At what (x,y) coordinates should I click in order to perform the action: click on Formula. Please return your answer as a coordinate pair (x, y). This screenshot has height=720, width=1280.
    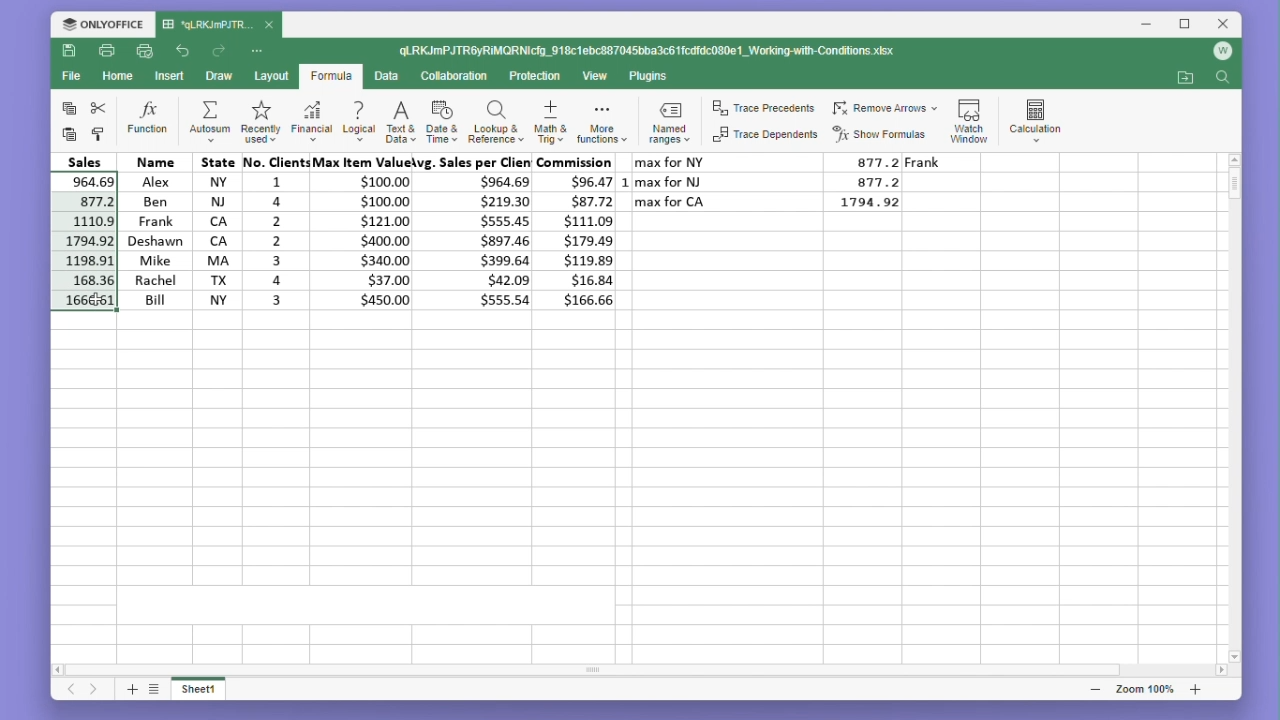
    Looking at the image, I should click on (331, 77).